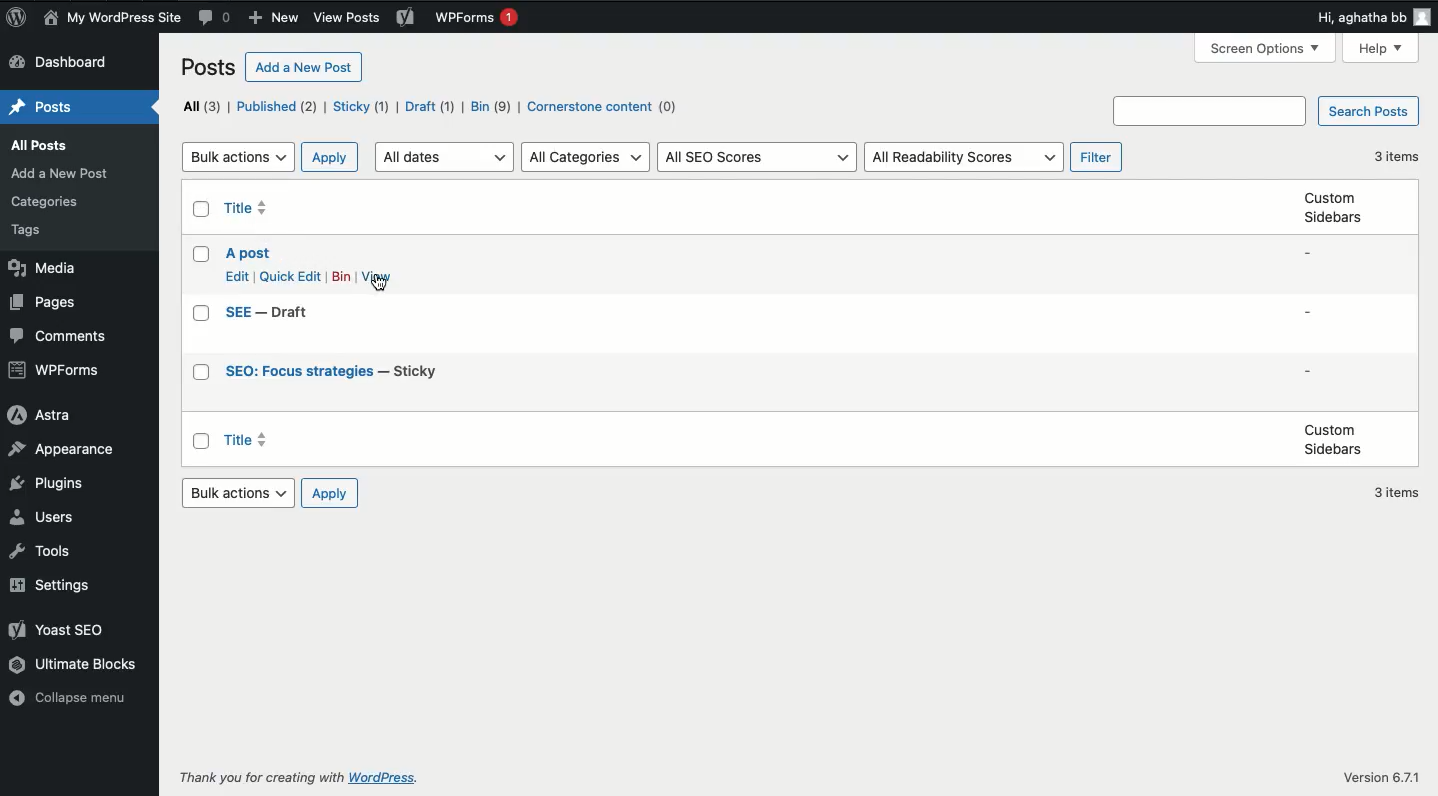  Describe the element at coordinates (202, 106) in the screenshot. I see `All` at that location.